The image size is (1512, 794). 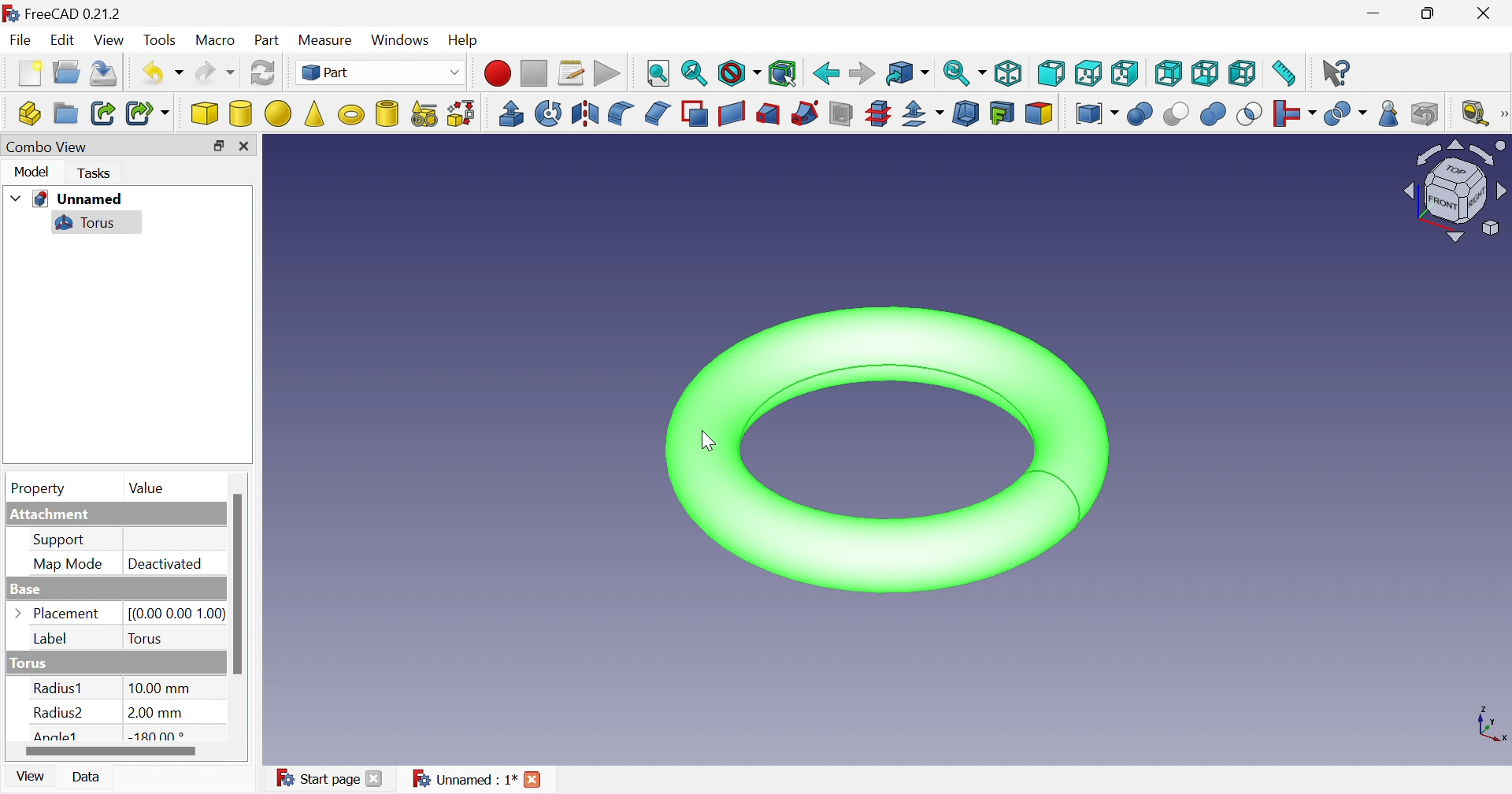 What do you see at coordinates (110, 39) in the screenshot?
I see `View` at bounding box center [110, 39].